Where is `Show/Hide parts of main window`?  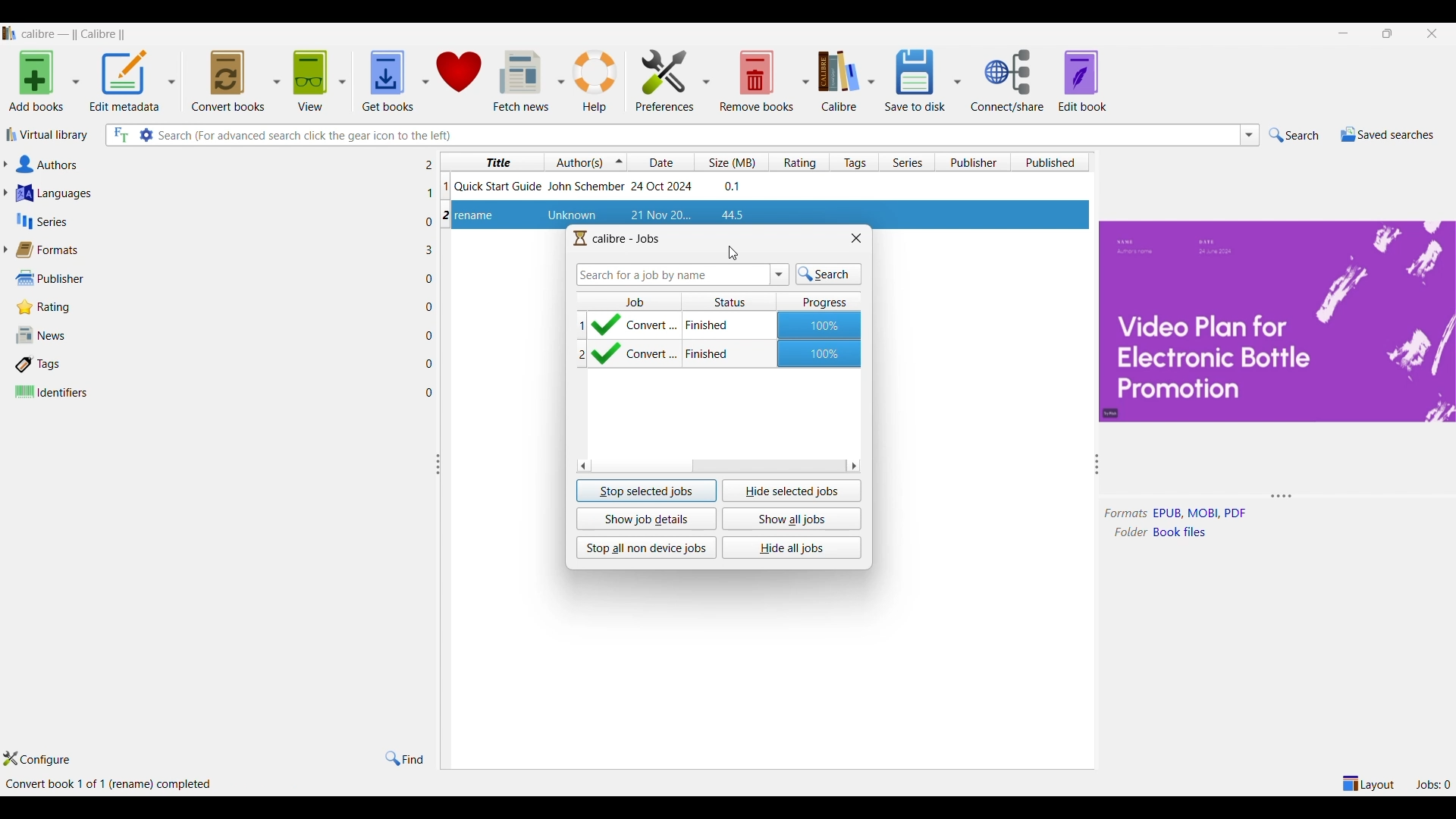
Show/Hide parts of main window is located at coordinates (1367, 784).